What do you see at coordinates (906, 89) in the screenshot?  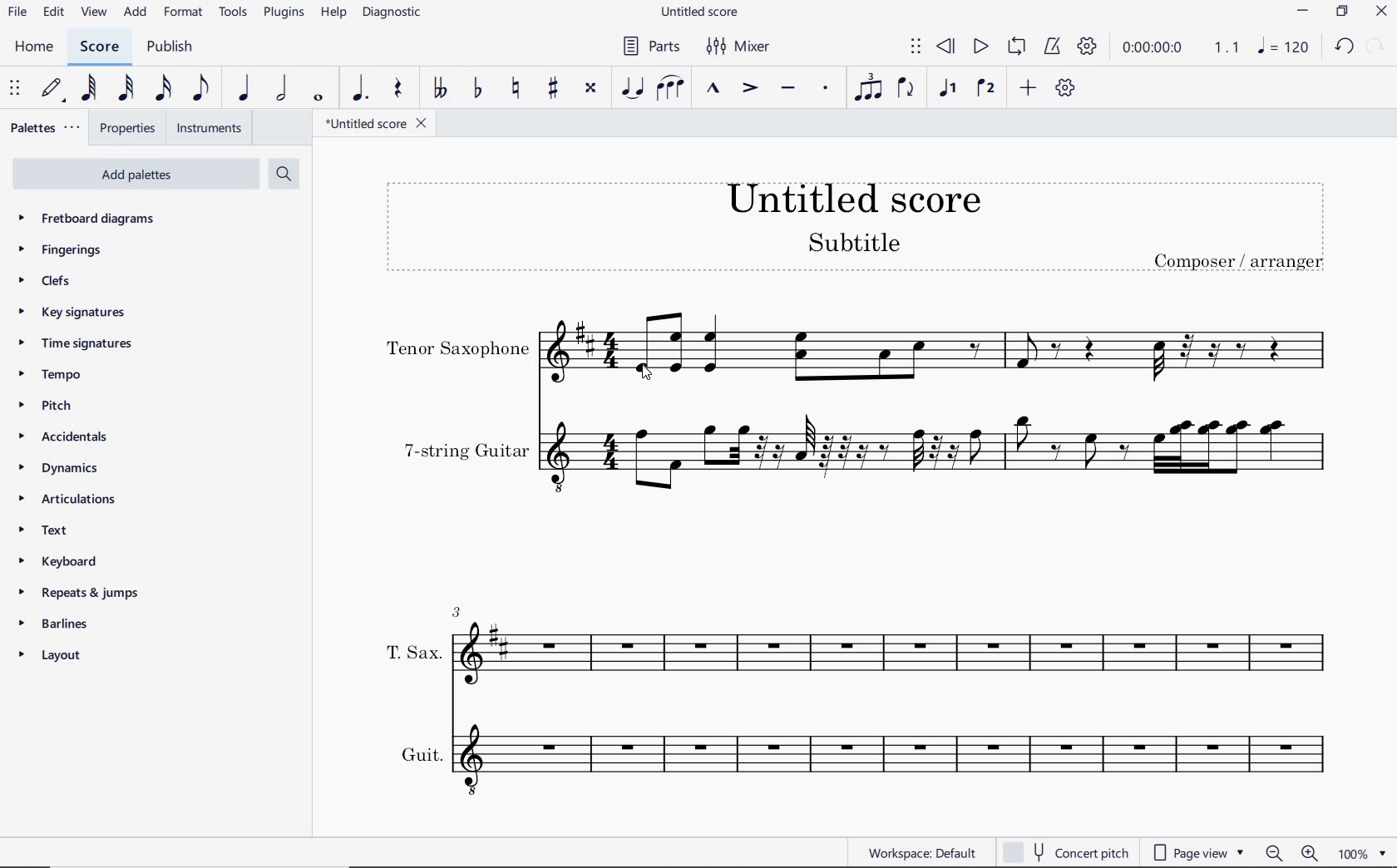 I see `FLIP DIRECTION` at bounding box center [906, 89].